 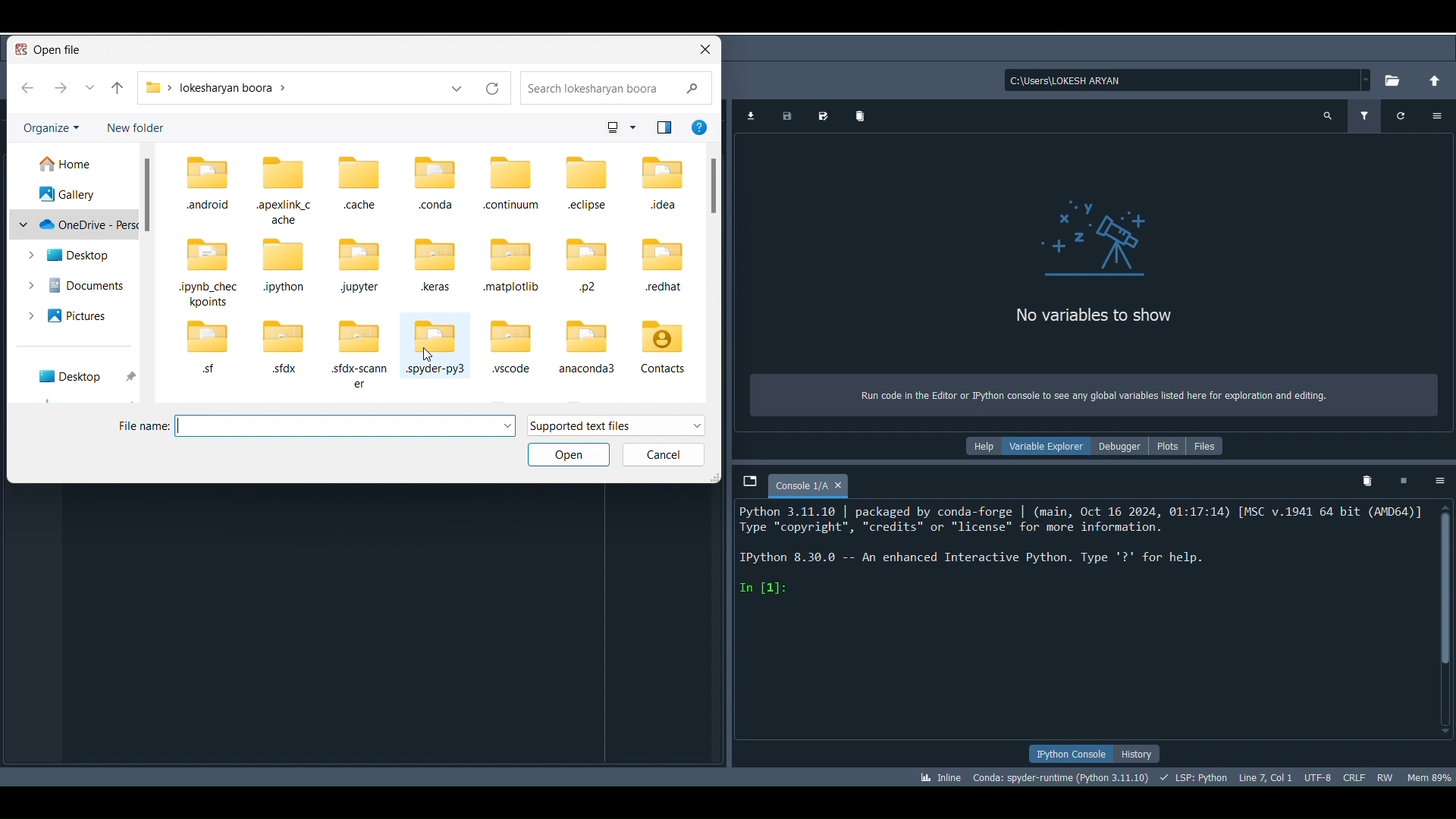 What do you see at coordinates (615, 89) in the screenshot?
I see `Search box` at bounding box center [615, 89].